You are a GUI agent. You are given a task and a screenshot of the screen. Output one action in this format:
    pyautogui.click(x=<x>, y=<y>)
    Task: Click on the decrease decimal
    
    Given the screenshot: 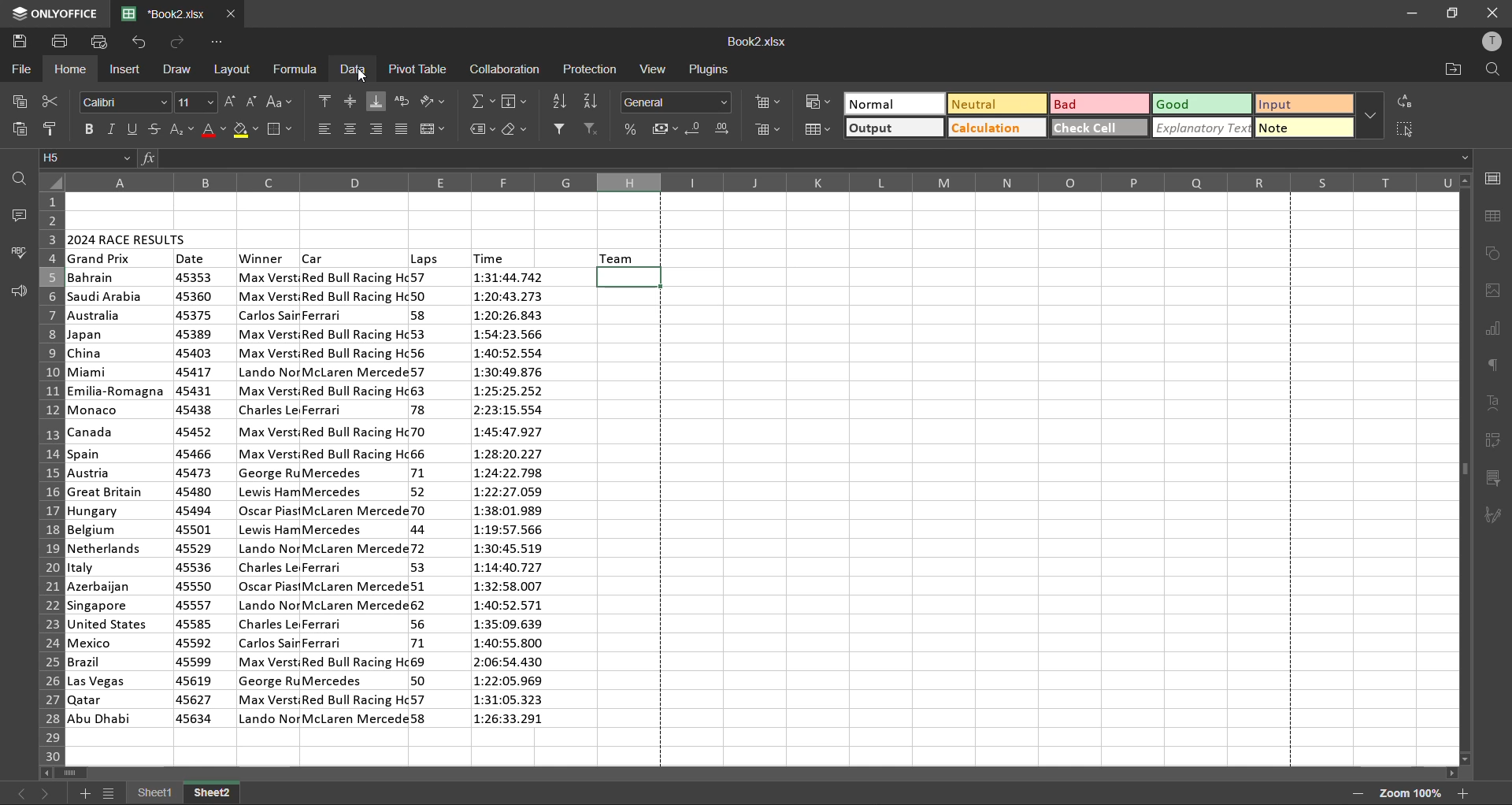 What is the action you would take?
    pyautogui.click(x=693, y=128)
    